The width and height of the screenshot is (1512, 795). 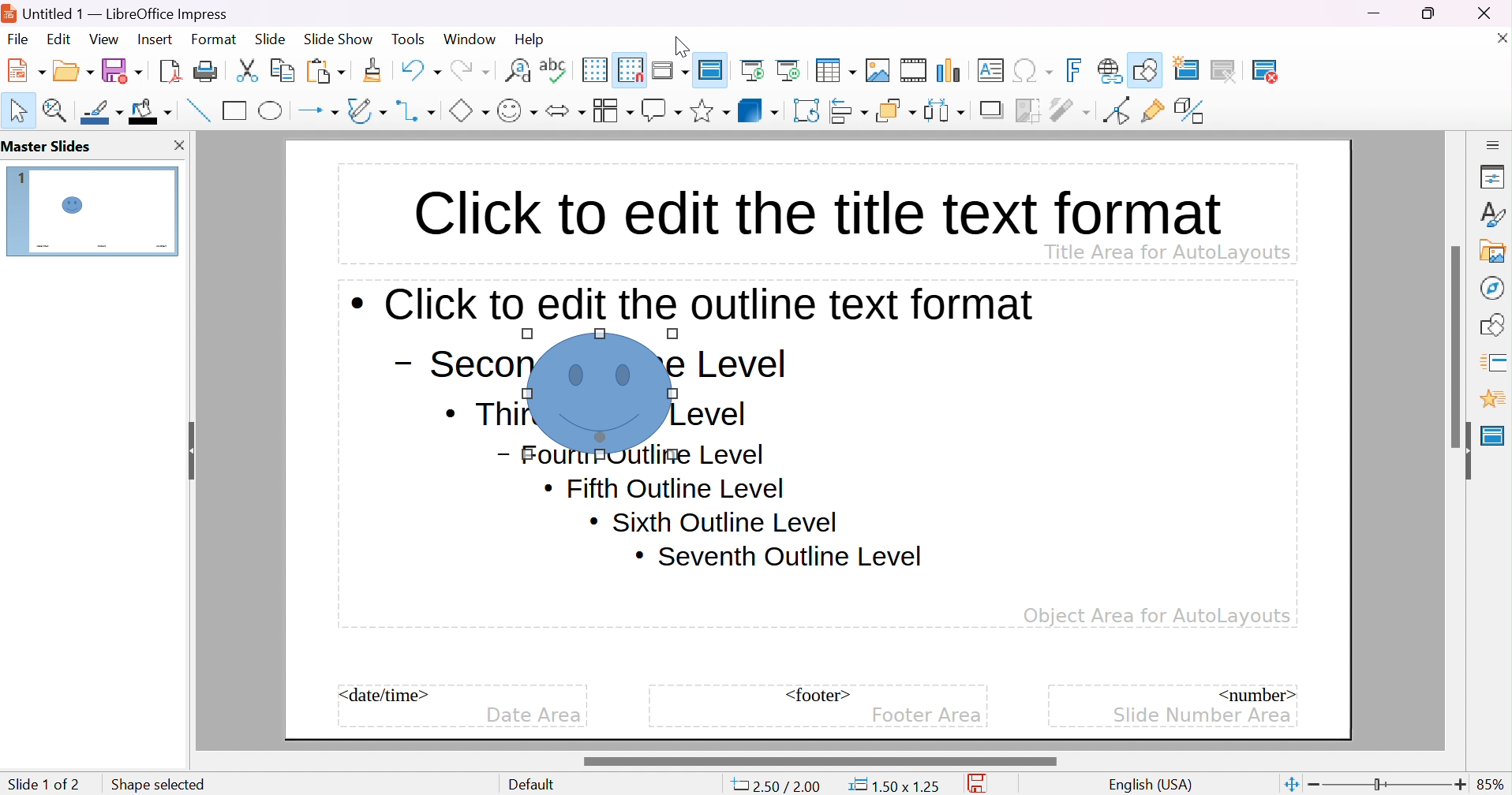 I want to click on hide, so click(x=189, y=446).